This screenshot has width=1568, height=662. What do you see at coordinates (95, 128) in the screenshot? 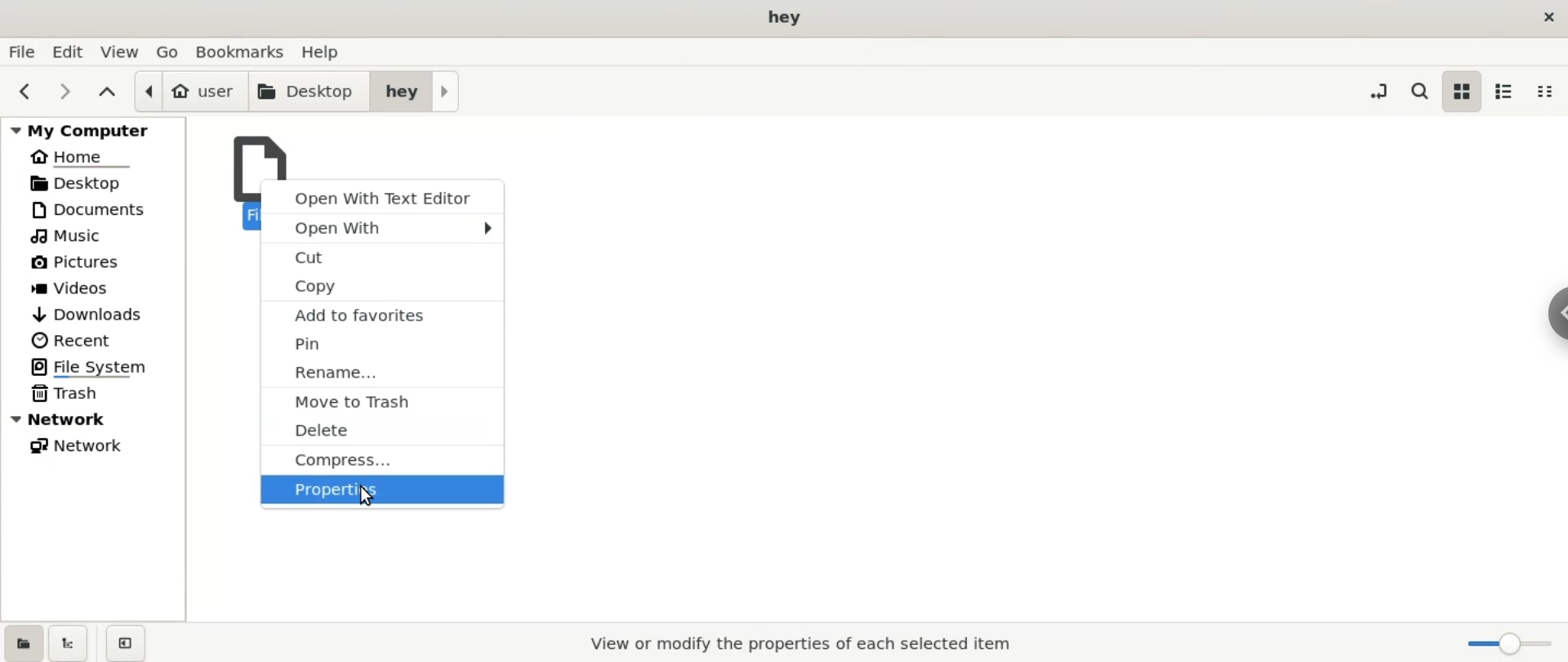
I see `mycomputre` at bounding box center [95, 128].